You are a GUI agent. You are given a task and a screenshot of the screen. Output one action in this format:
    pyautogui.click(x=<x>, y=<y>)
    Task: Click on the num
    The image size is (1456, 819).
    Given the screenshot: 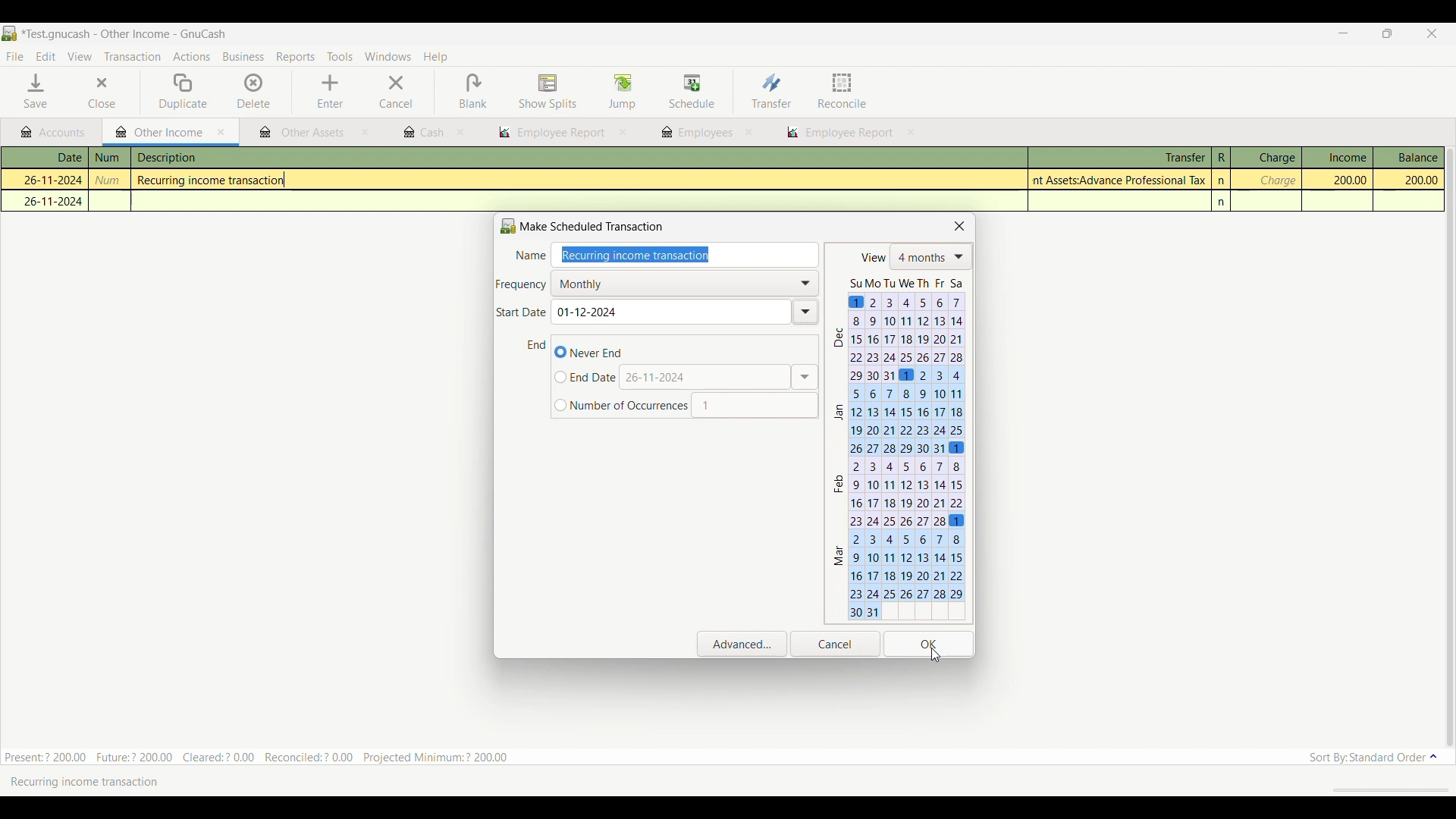 What is the action you would take?
    pyautogui.click(x=109, y=158)
    